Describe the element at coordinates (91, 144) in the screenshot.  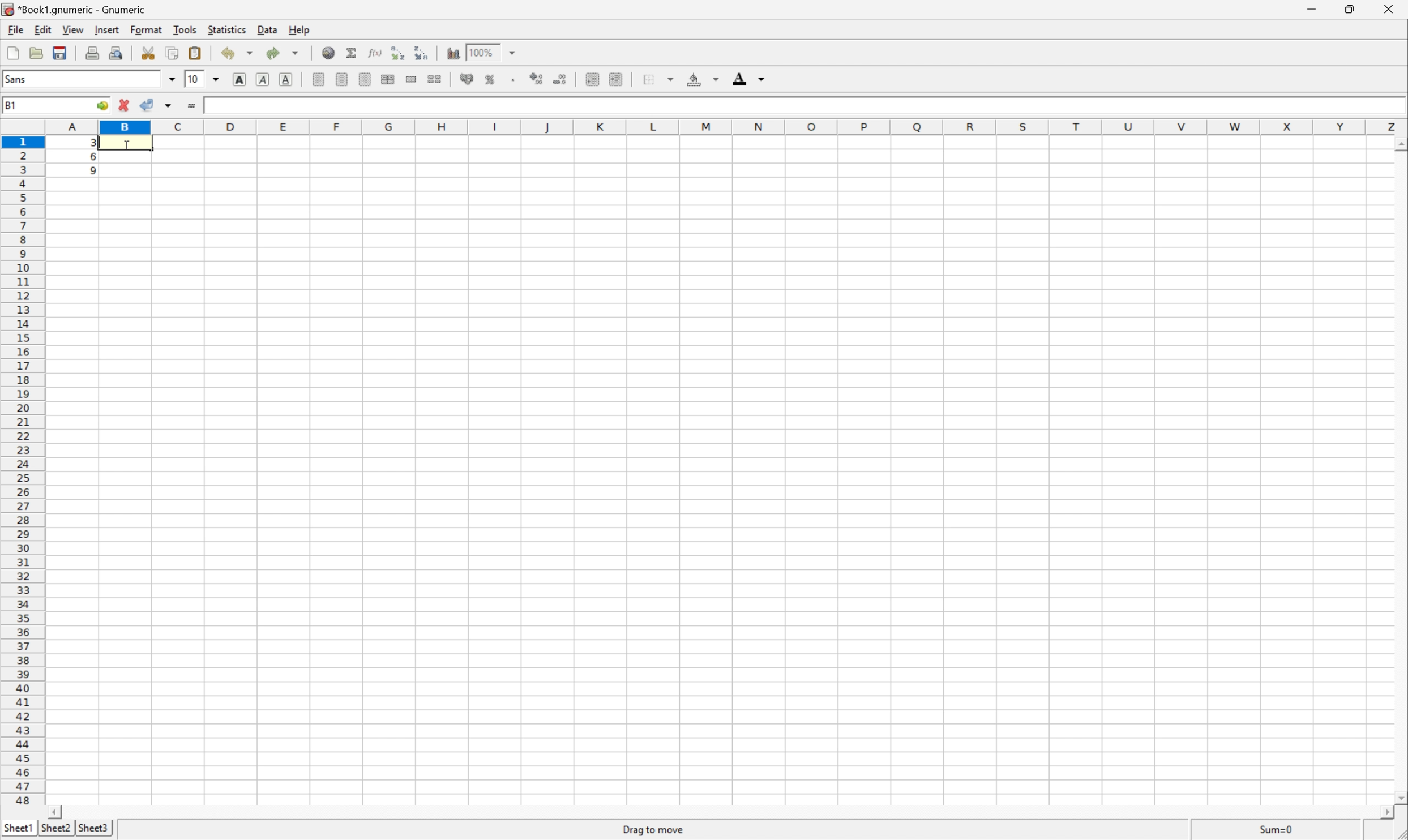
I see `3` at that location.